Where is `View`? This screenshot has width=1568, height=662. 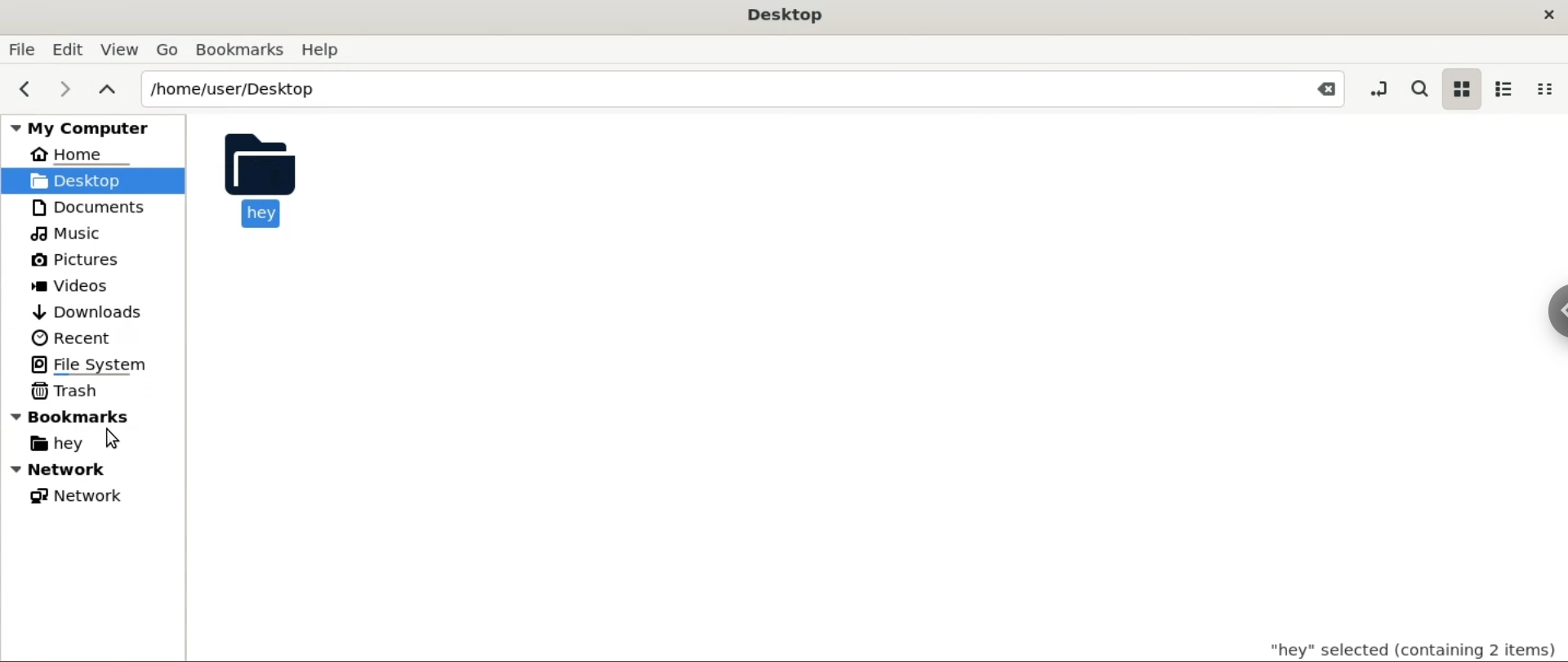 View is located at coordinates (121, 47).